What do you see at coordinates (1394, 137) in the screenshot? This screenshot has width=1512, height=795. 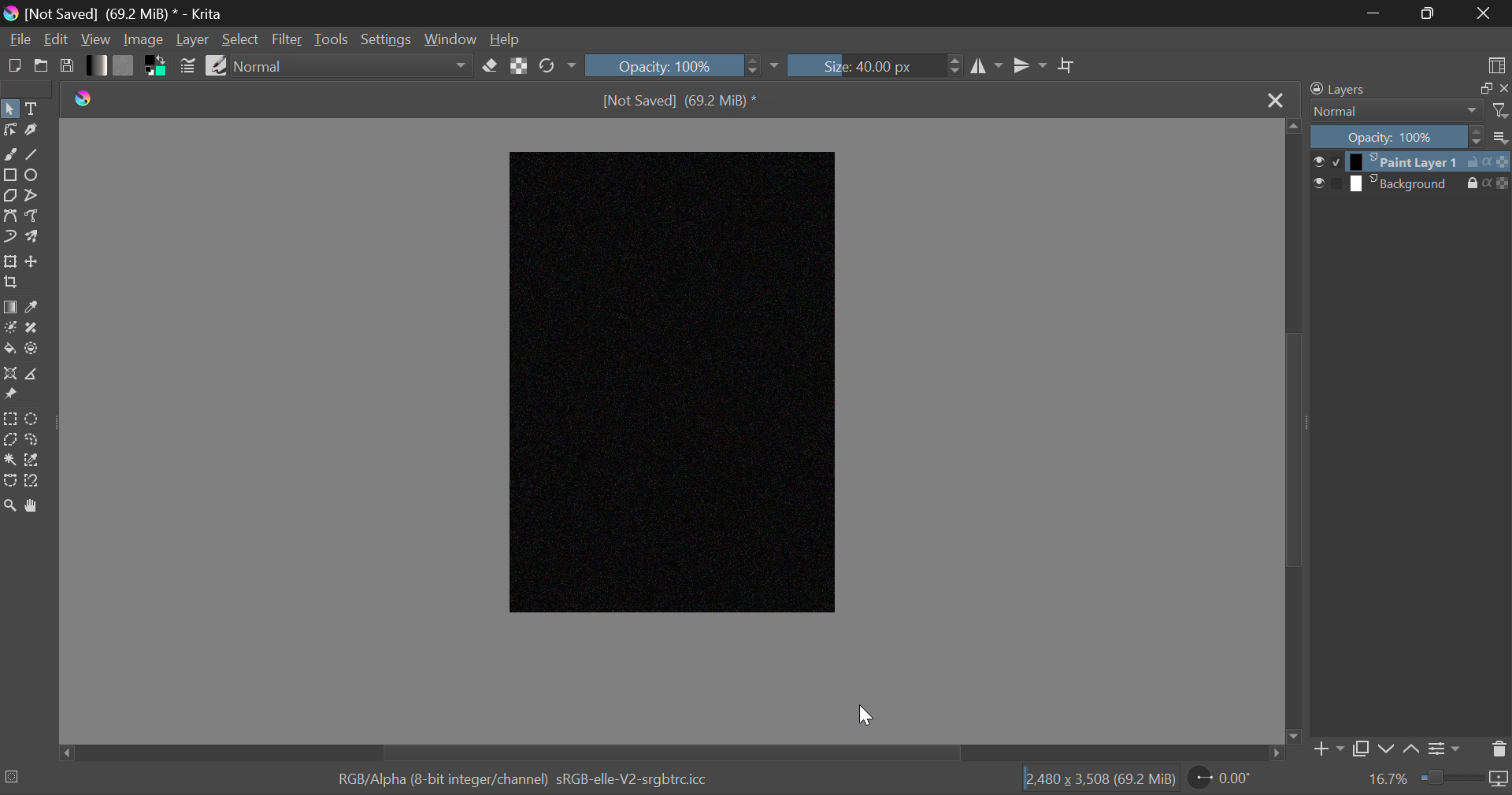 I see `Opacity` at bounding box center [1394, 137].